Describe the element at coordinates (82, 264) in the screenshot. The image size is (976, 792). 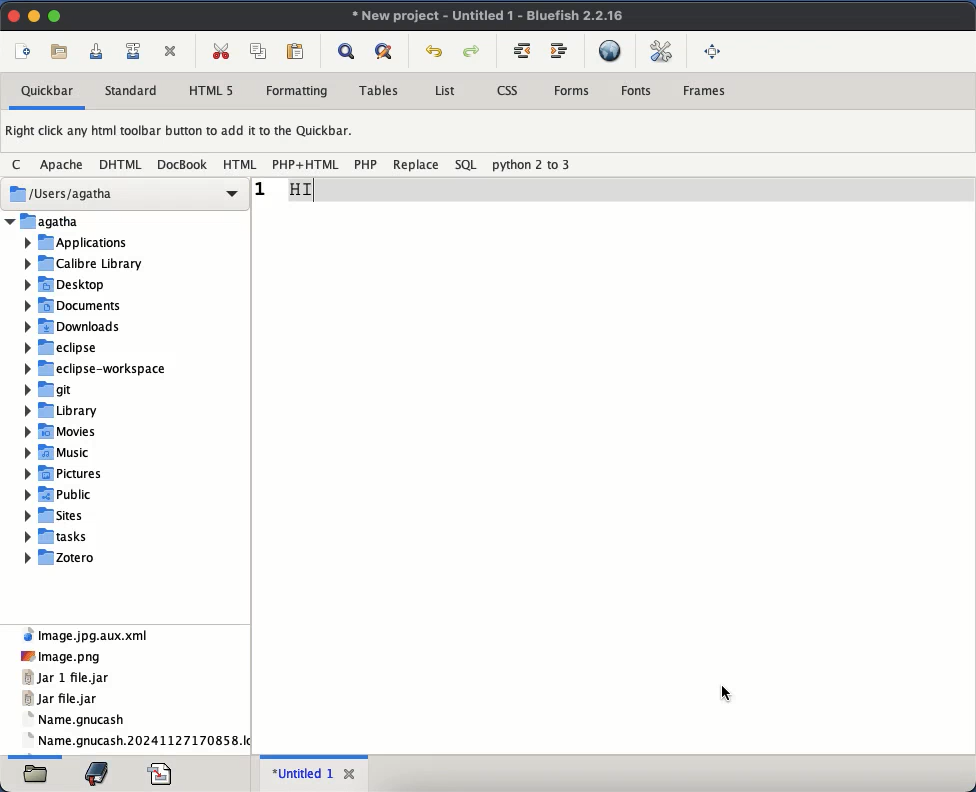
I see `Calibre Library` at that location.